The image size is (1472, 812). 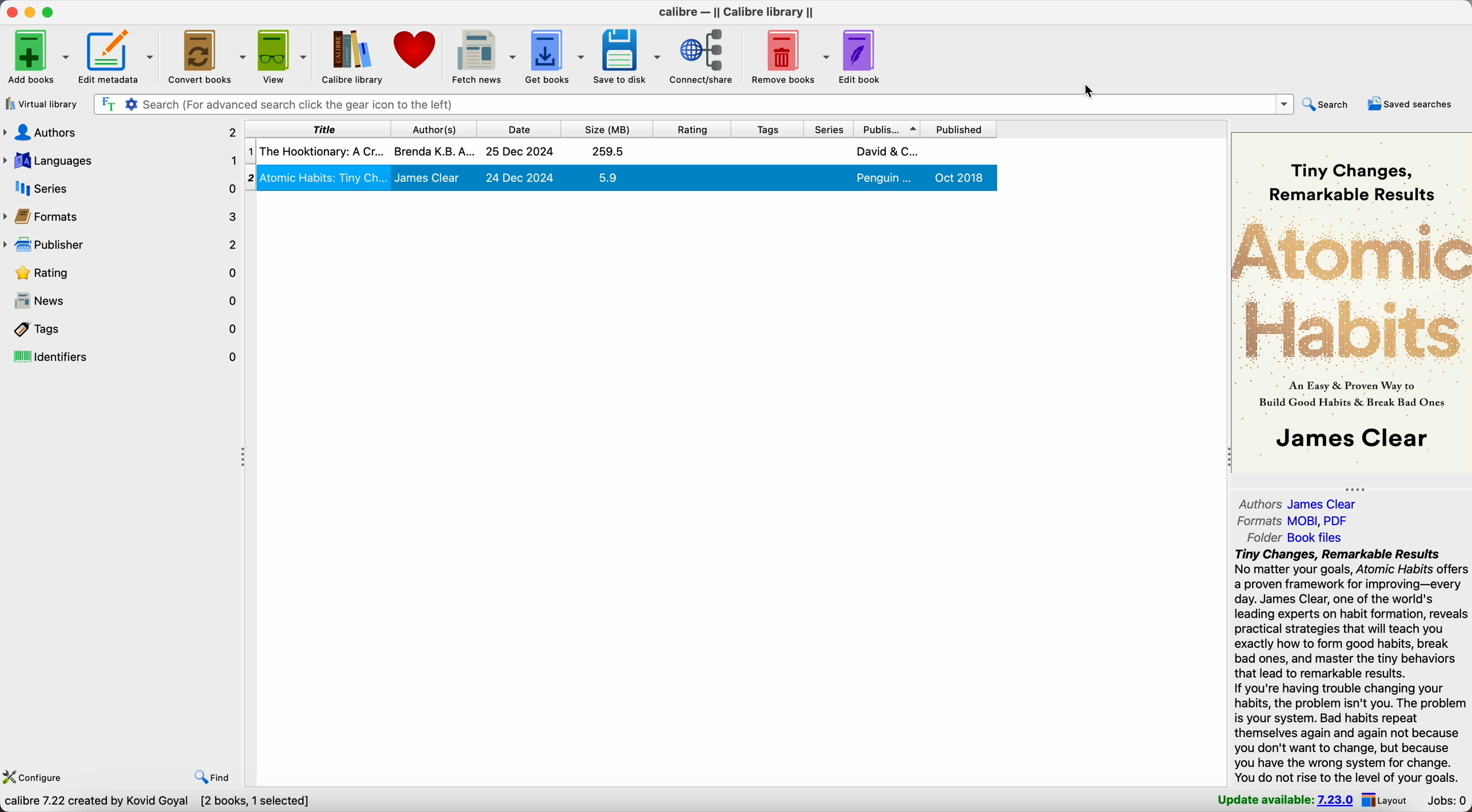 I want to click on publisher, so click(x=121, y=245).